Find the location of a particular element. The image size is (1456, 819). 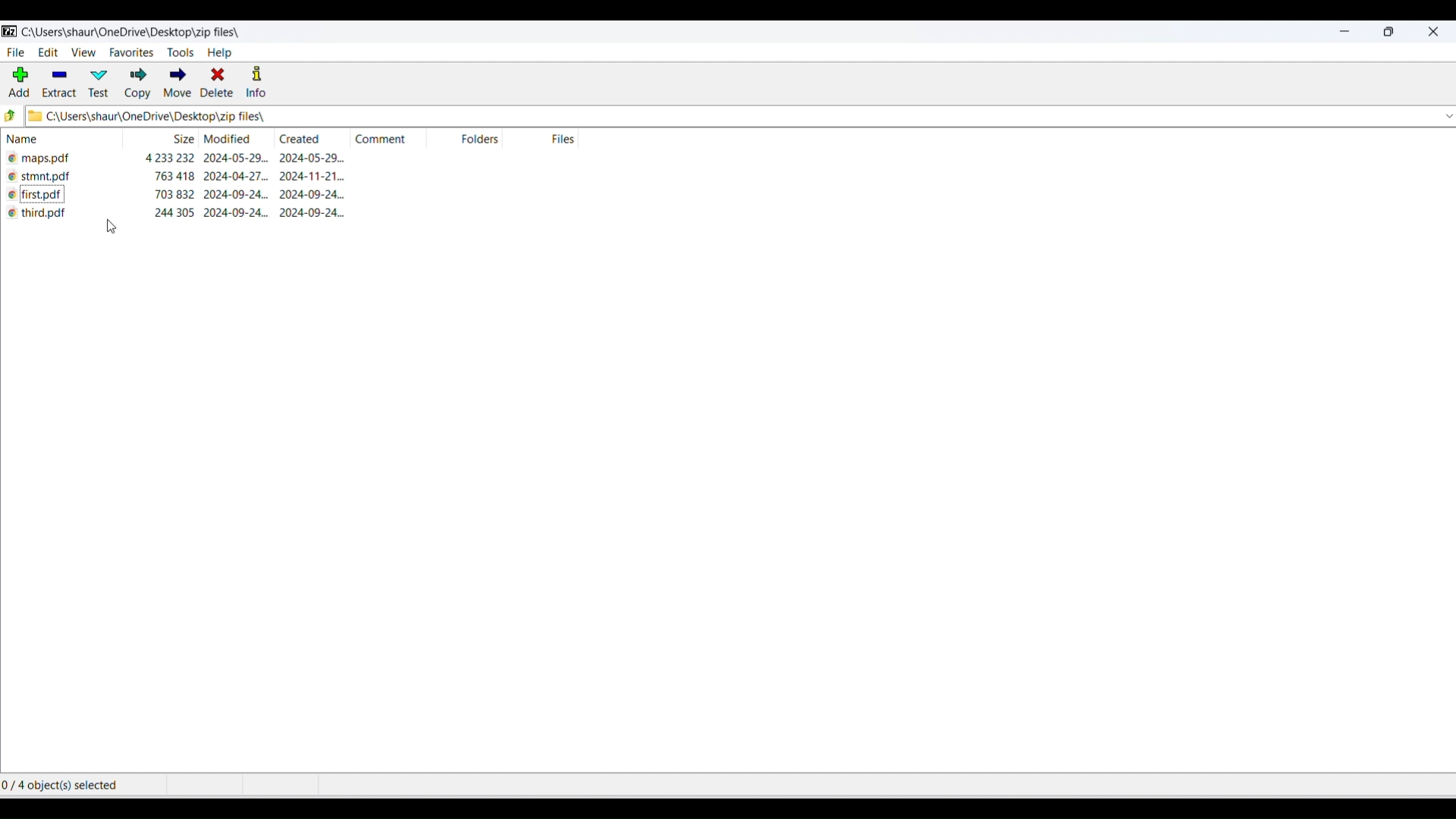

file name is located at coordinates (42, 194).